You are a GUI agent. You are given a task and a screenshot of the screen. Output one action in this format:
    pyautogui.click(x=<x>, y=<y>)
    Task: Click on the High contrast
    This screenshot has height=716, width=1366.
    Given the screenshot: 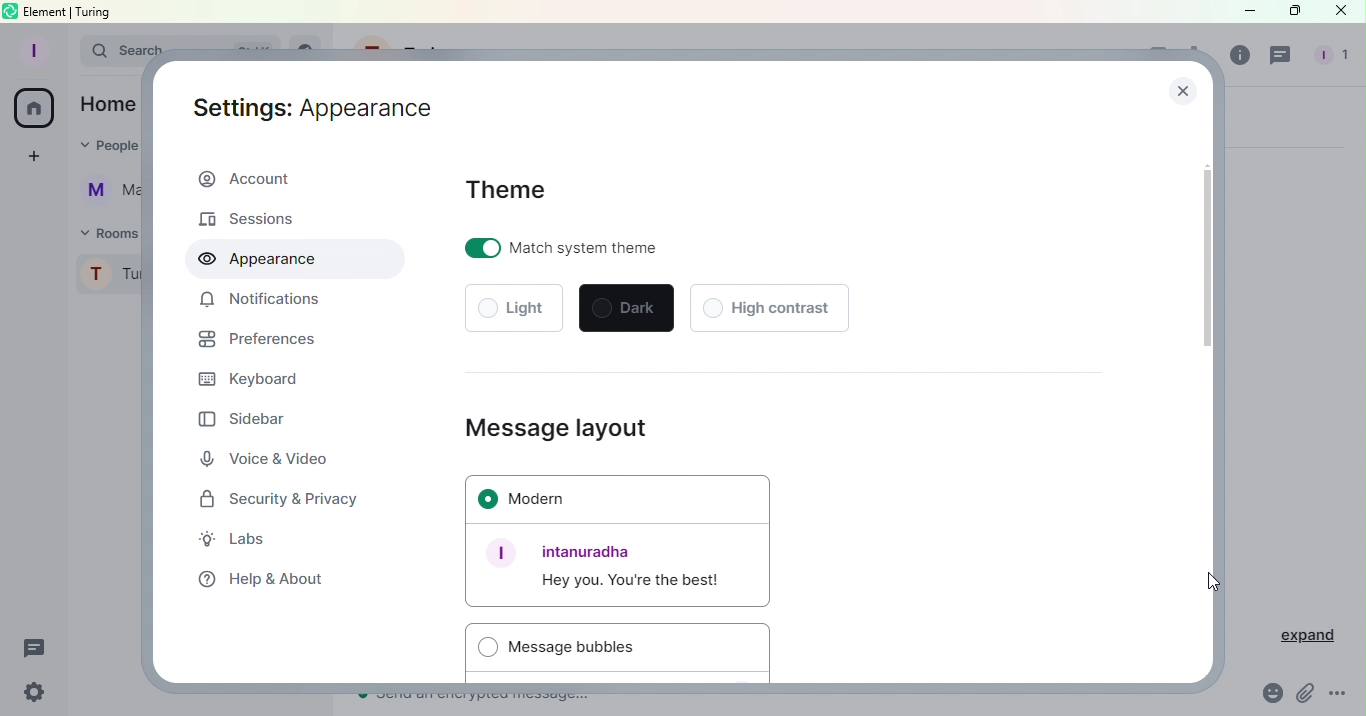 What is the action you would take?
    pyautogui.click(x=775, y=306)
    